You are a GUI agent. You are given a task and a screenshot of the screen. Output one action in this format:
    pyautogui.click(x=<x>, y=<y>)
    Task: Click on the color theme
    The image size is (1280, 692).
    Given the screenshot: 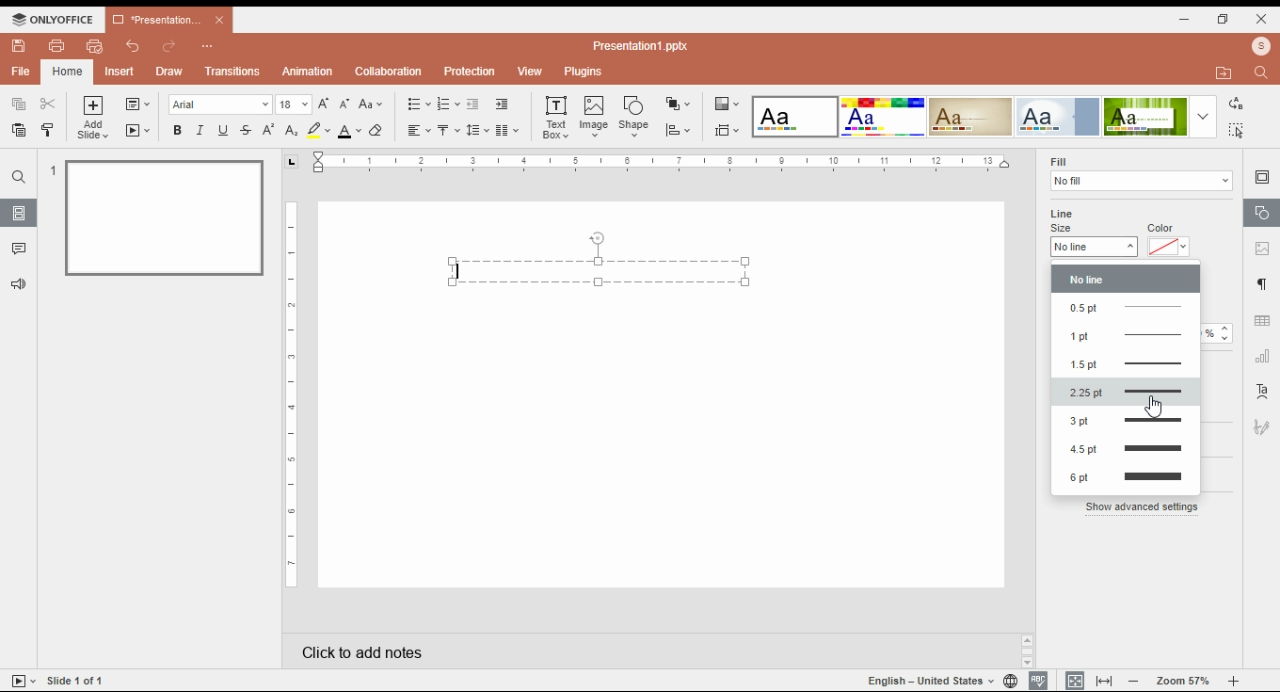 What is the action you would take?
    pyautogui.click(x=1145, y=117)
    